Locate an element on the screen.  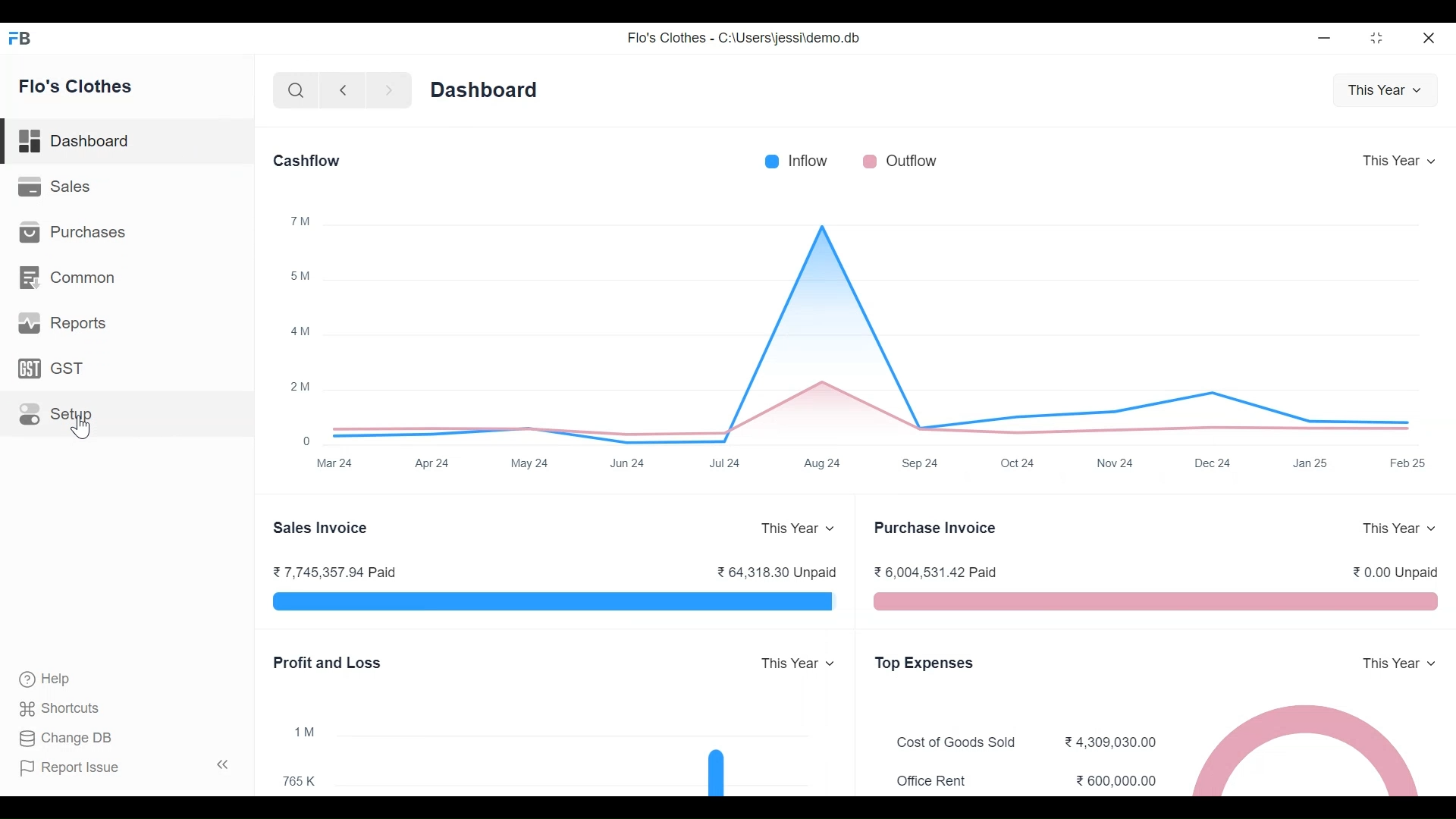
765 K is located at coordinates (300, 782).